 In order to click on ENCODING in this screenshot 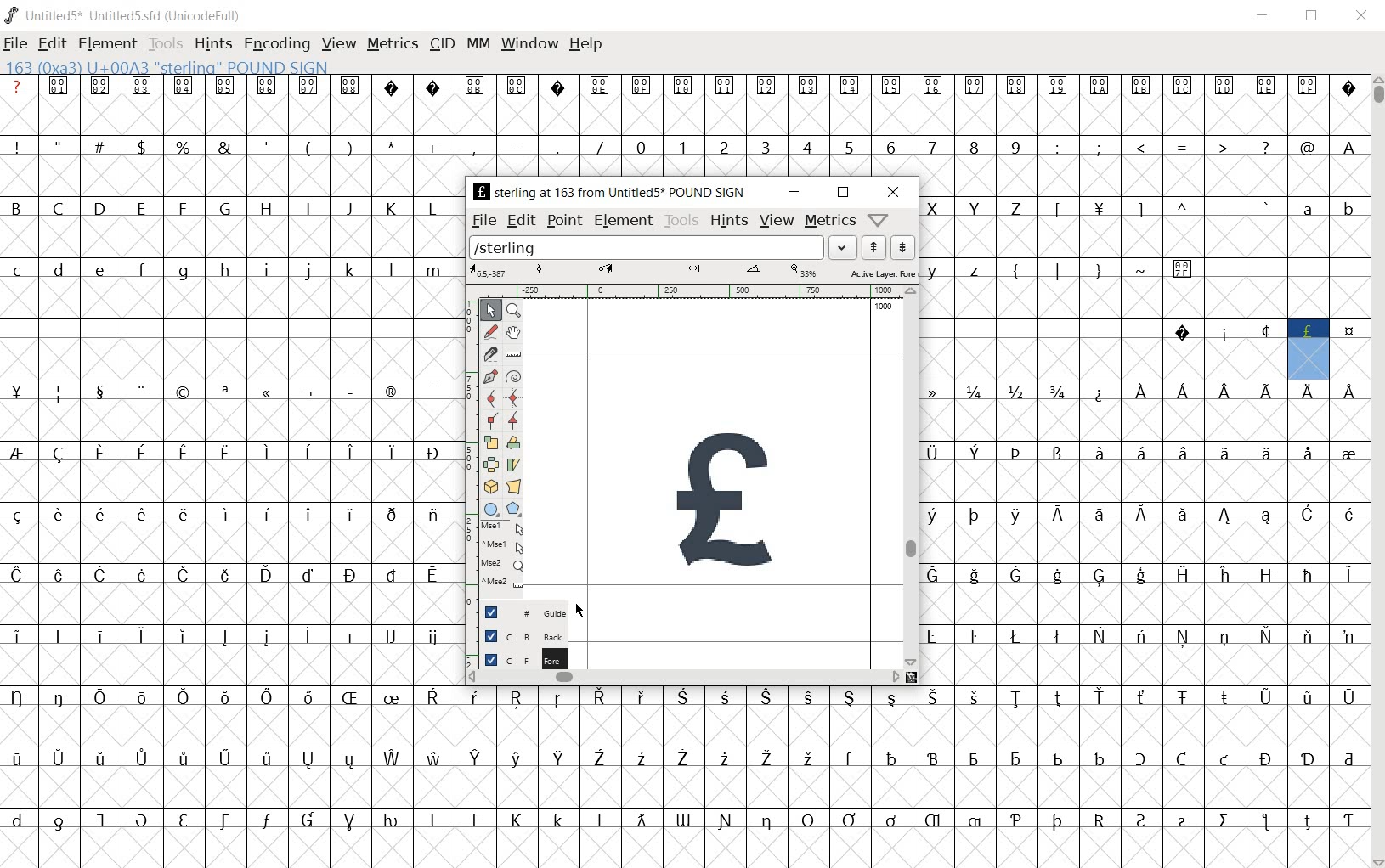, I will do `click(275, 45)`.